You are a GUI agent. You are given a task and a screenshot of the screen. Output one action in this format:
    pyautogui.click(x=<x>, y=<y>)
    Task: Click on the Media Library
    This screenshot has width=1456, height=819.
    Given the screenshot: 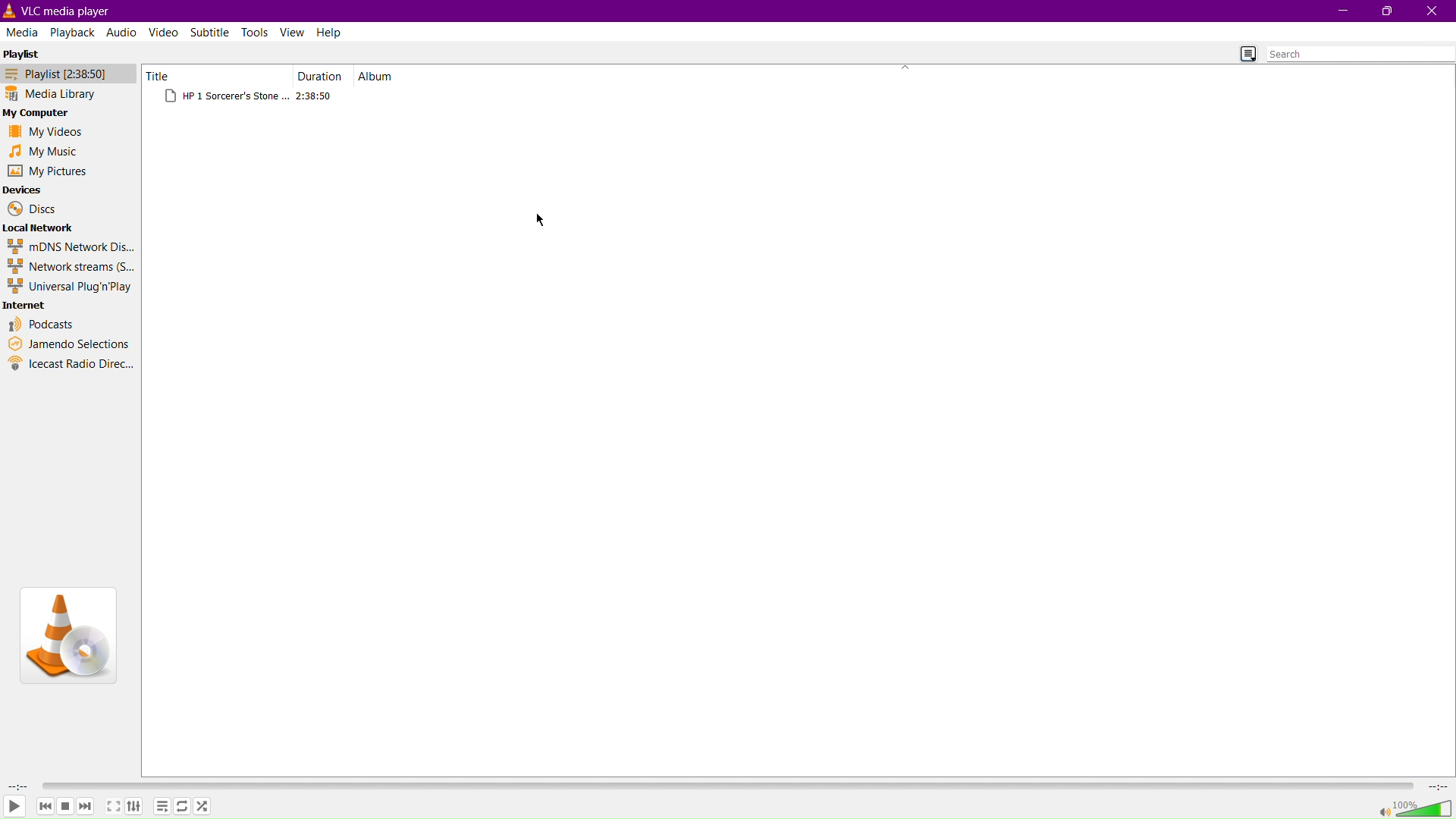 What is the action you would take?
    pyautogui.click(x=64, y=95)
    